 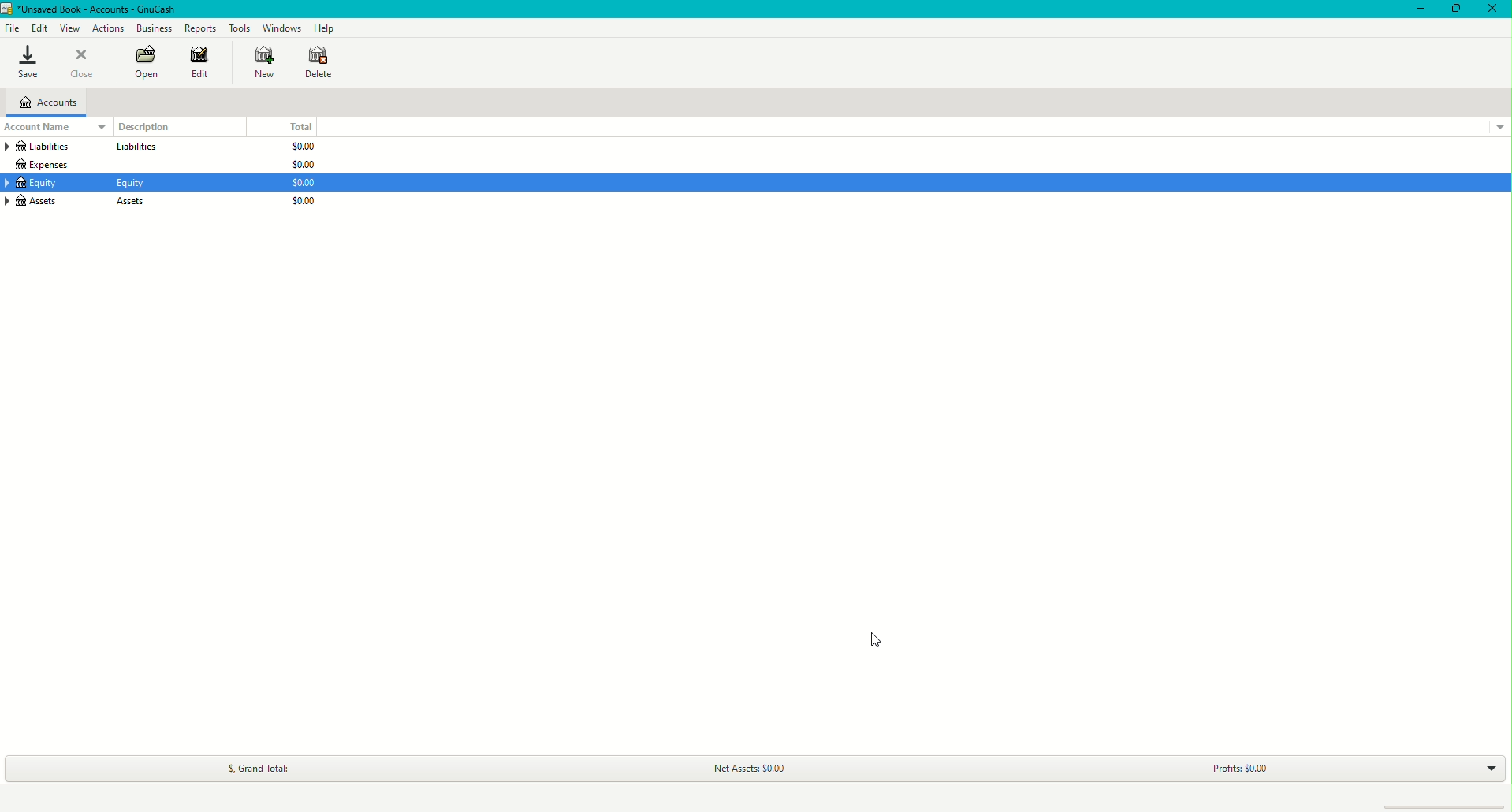 What do you see at coordinates (46, 147) in the screenshot?
I see `Liabilities` at bounding box center [46, 147].